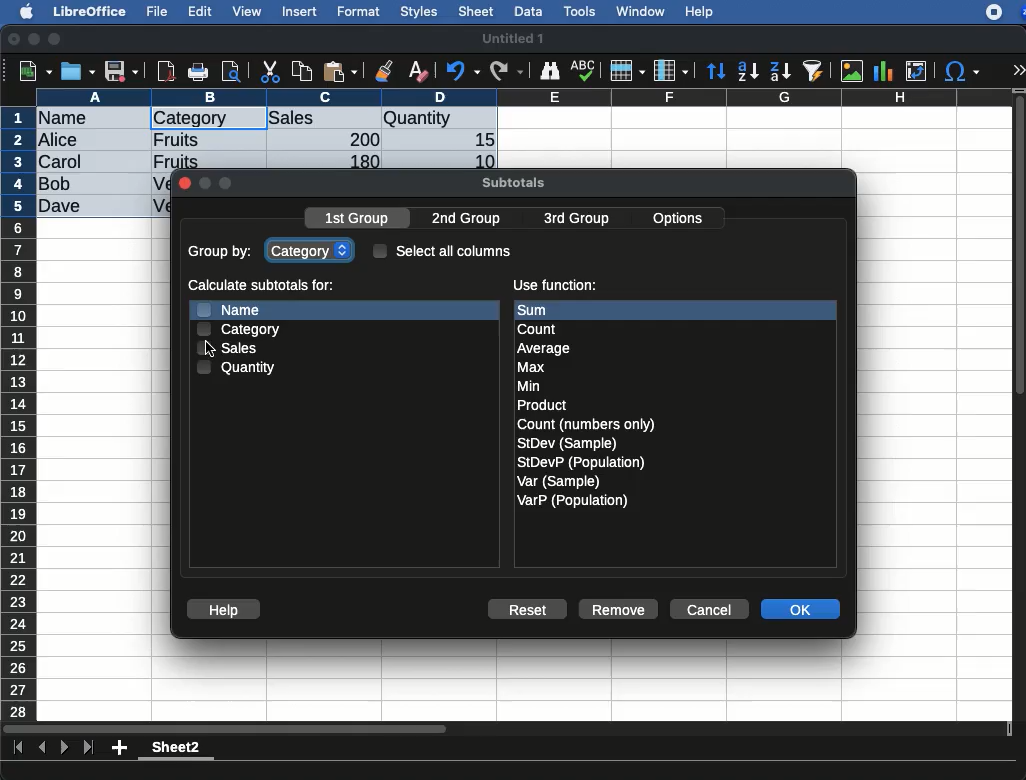 The height and width of the screenshot is (780, 1026). What do you see at coordinates (803, 611) in the screenshot?
I see `ok` at bounding box center [803, 611].